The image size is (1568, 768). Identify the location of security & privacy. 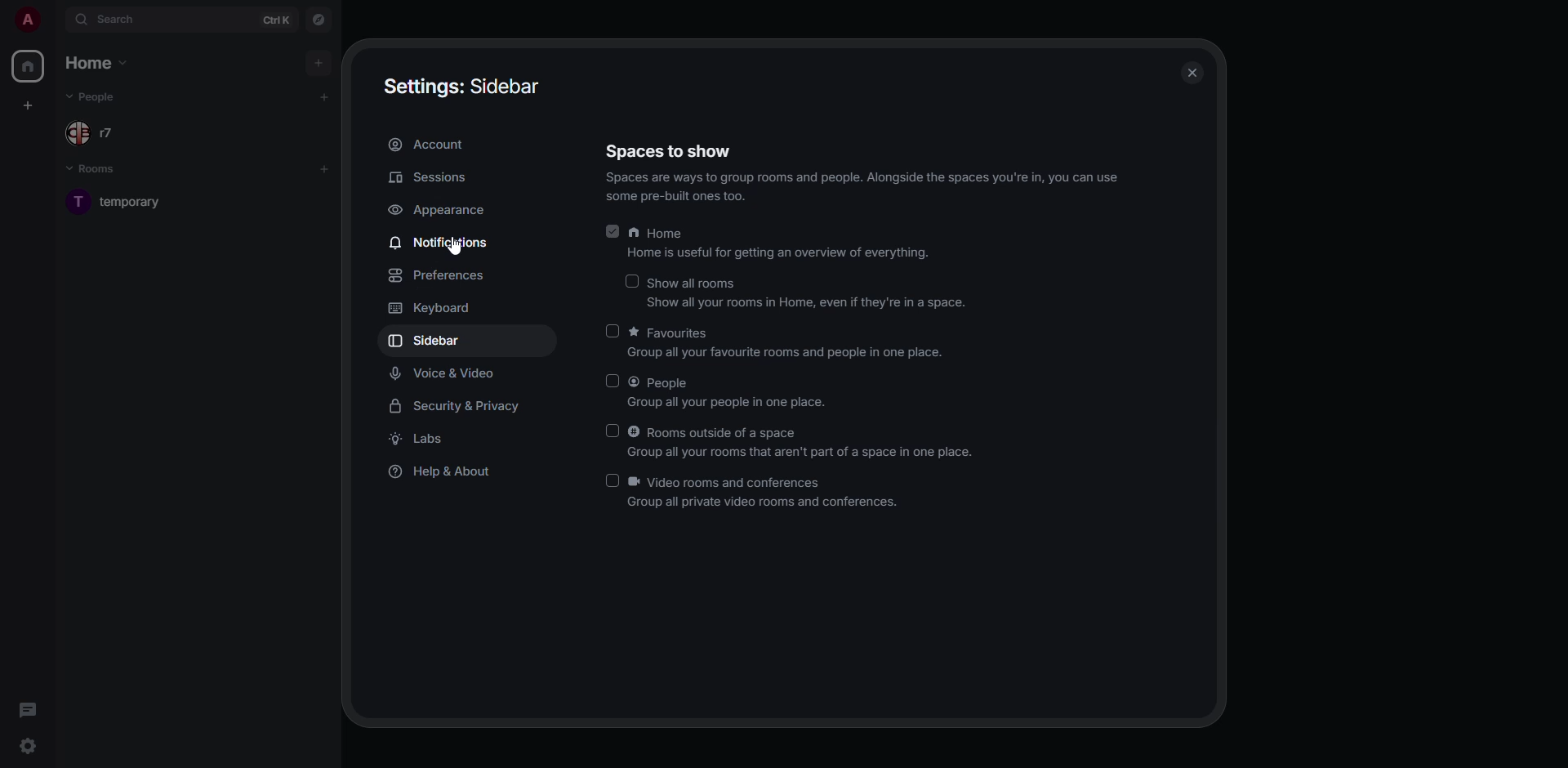
(462, 406).